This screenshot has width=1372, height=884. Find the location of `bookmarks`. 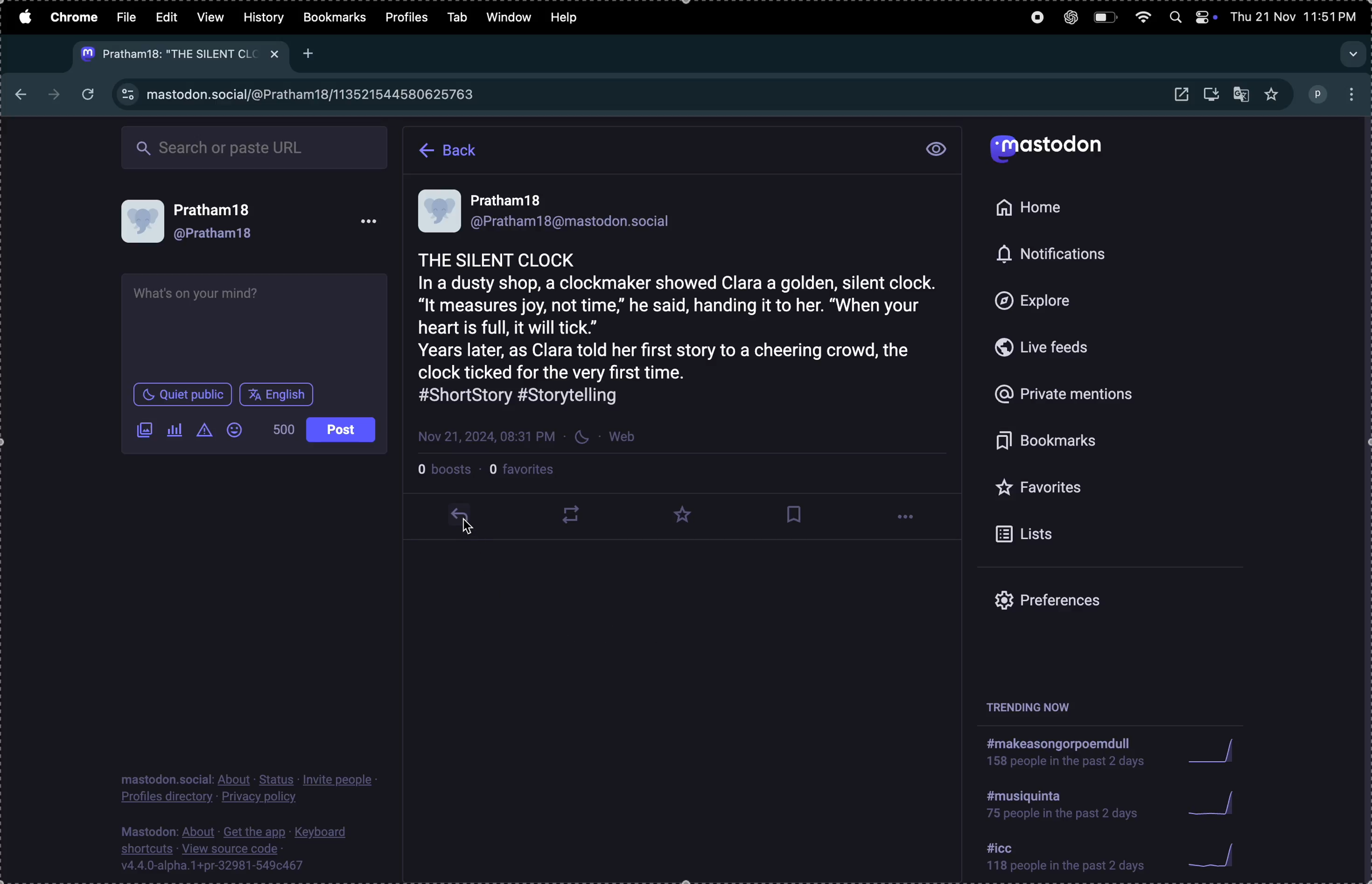

bookmarks is located at coordinates (334, 19).